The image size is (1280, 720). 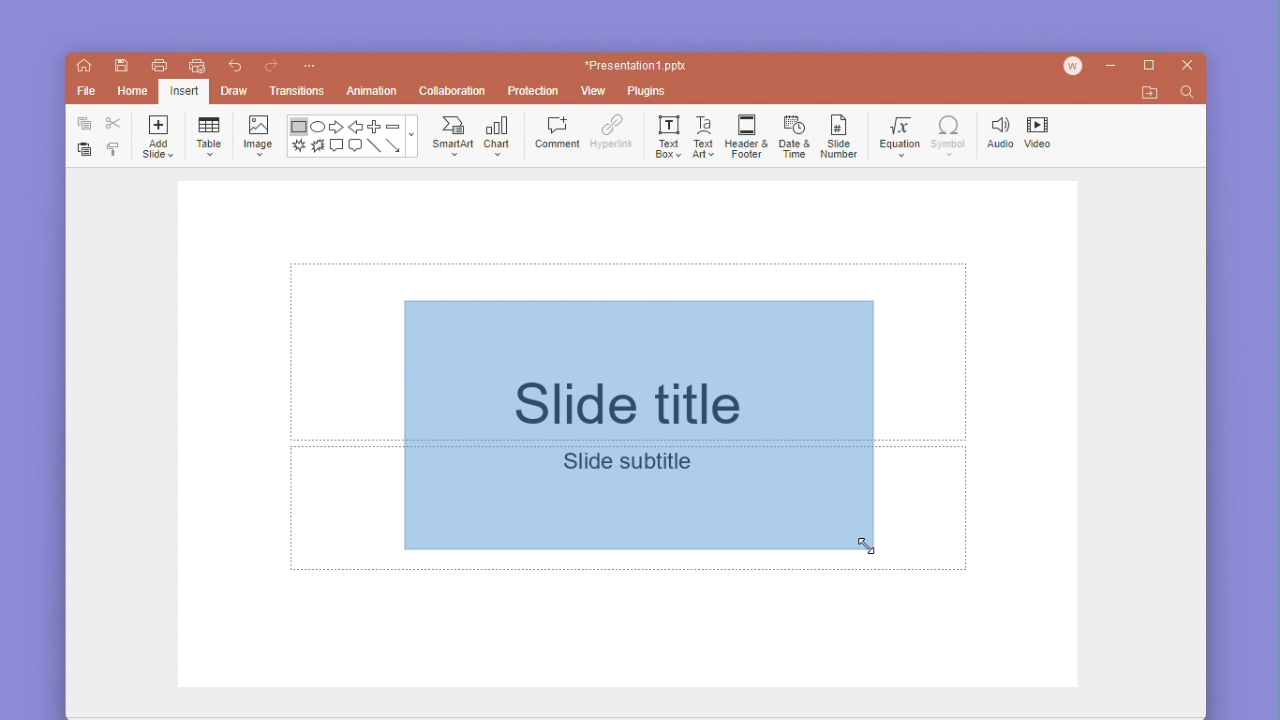 What do you see at coordinates (1113, 67) in the screenshot?
I see `minimize` at bounding box center [1113, 67].